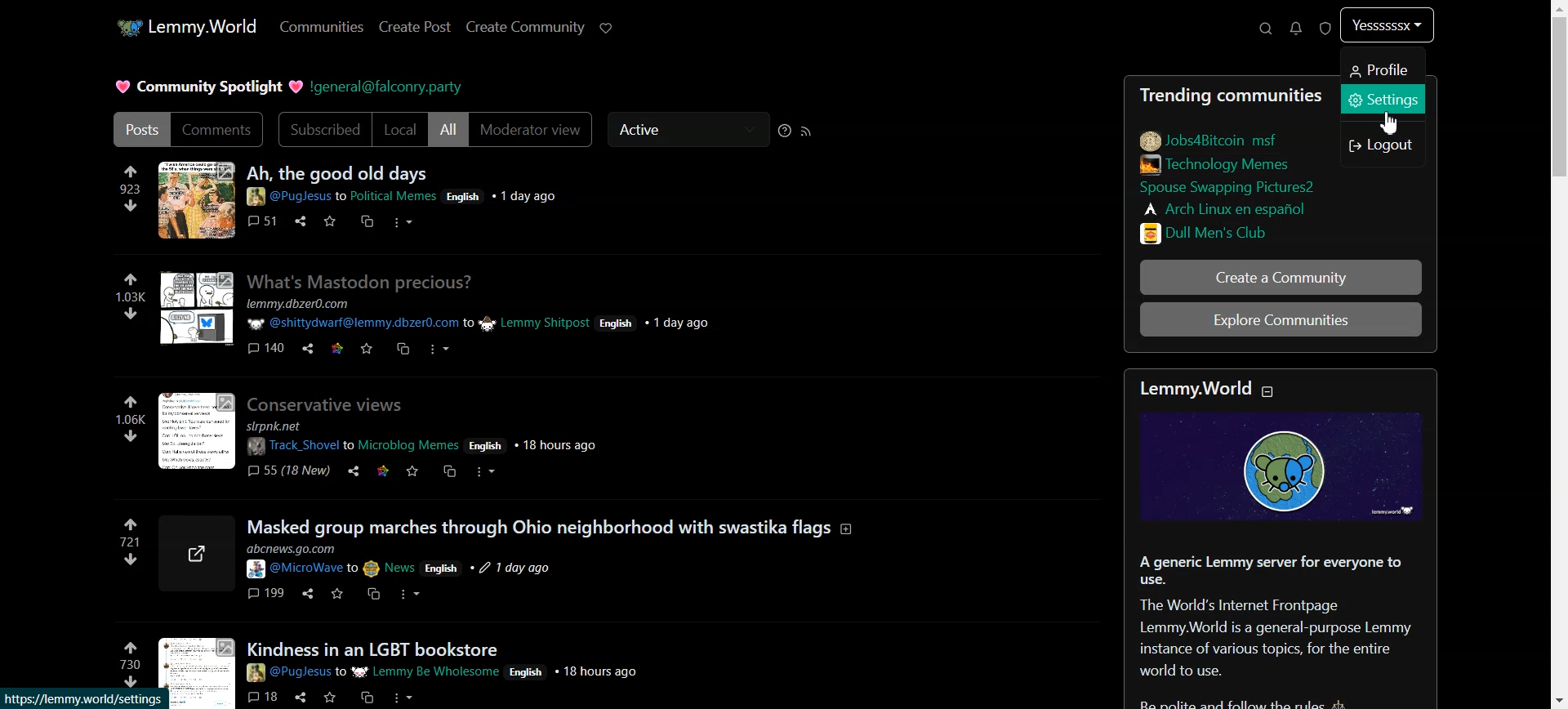  What do you see at coordinates (451, 671) in the screenshot?
I see `post details` at bounding box center [451, 671].